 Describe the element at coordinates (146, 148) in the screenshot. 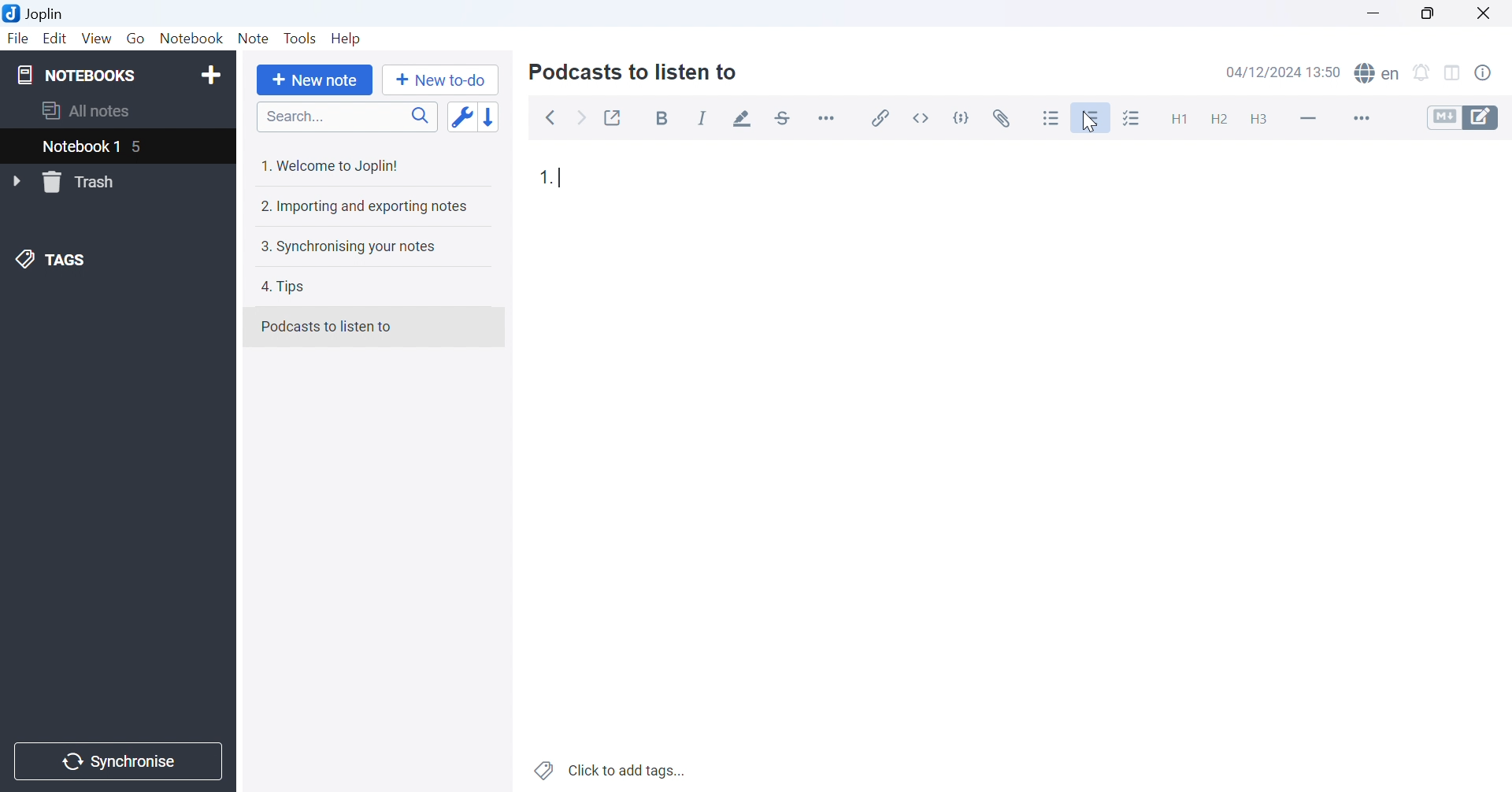

I see `5` at that location.